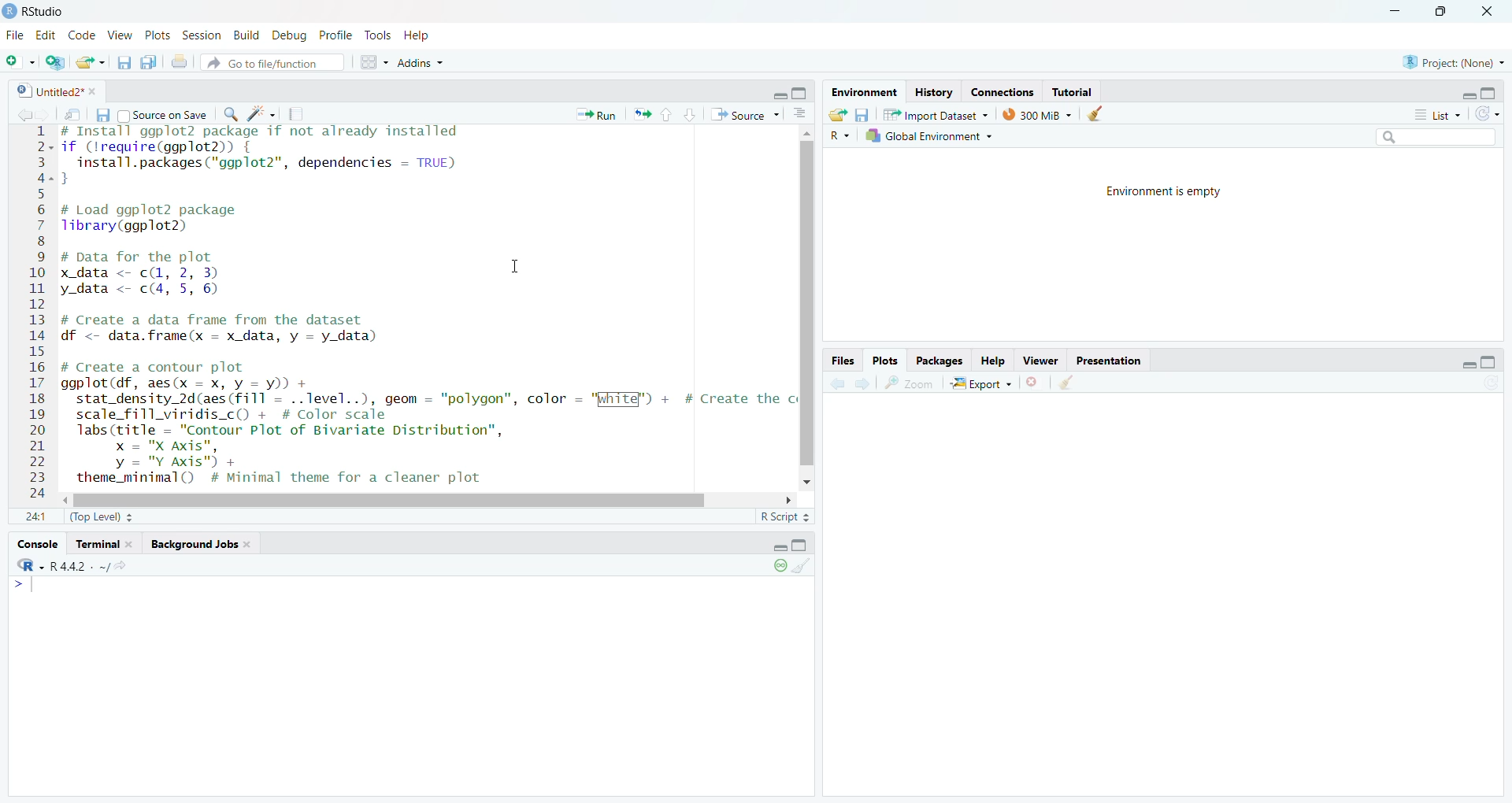 The height and width of the screenshot is (803, 1512). Describe the element at coordinates (270, 62) in the screenshot. I see ` Go to file/function` at that location.